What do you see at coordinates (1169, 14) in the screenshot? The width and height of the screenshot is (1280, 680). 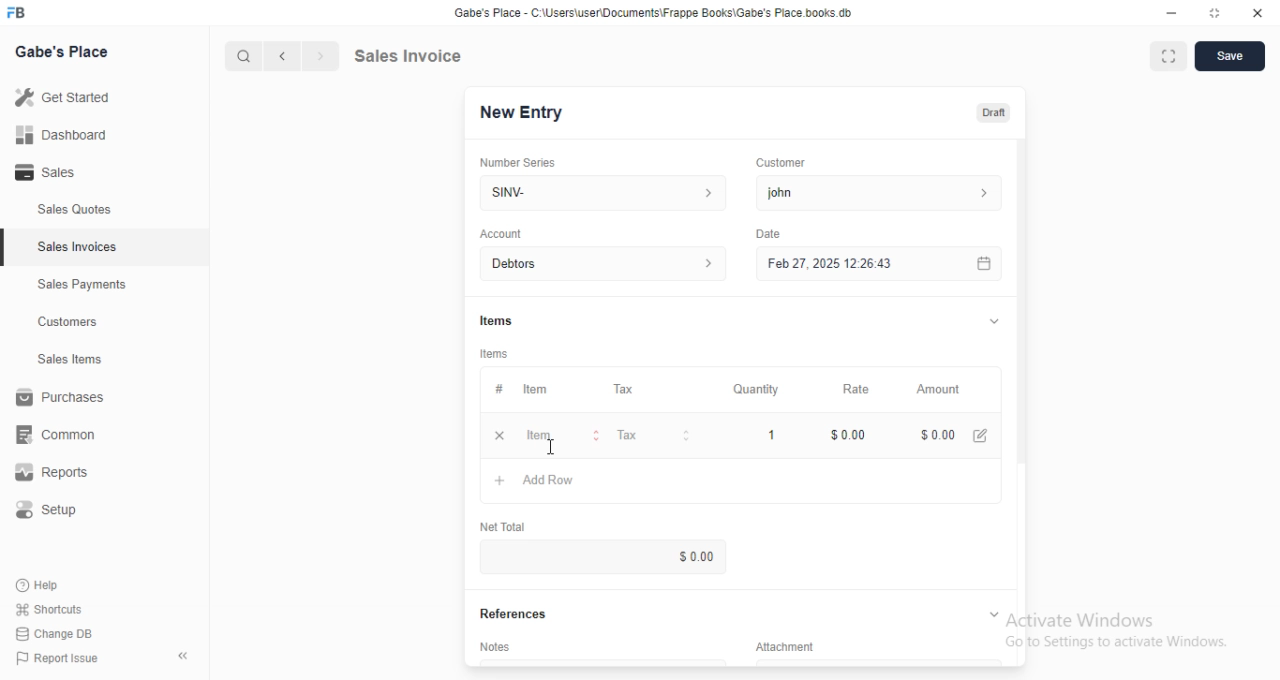 I see `Minimize` at bounding box center [1169, 14].